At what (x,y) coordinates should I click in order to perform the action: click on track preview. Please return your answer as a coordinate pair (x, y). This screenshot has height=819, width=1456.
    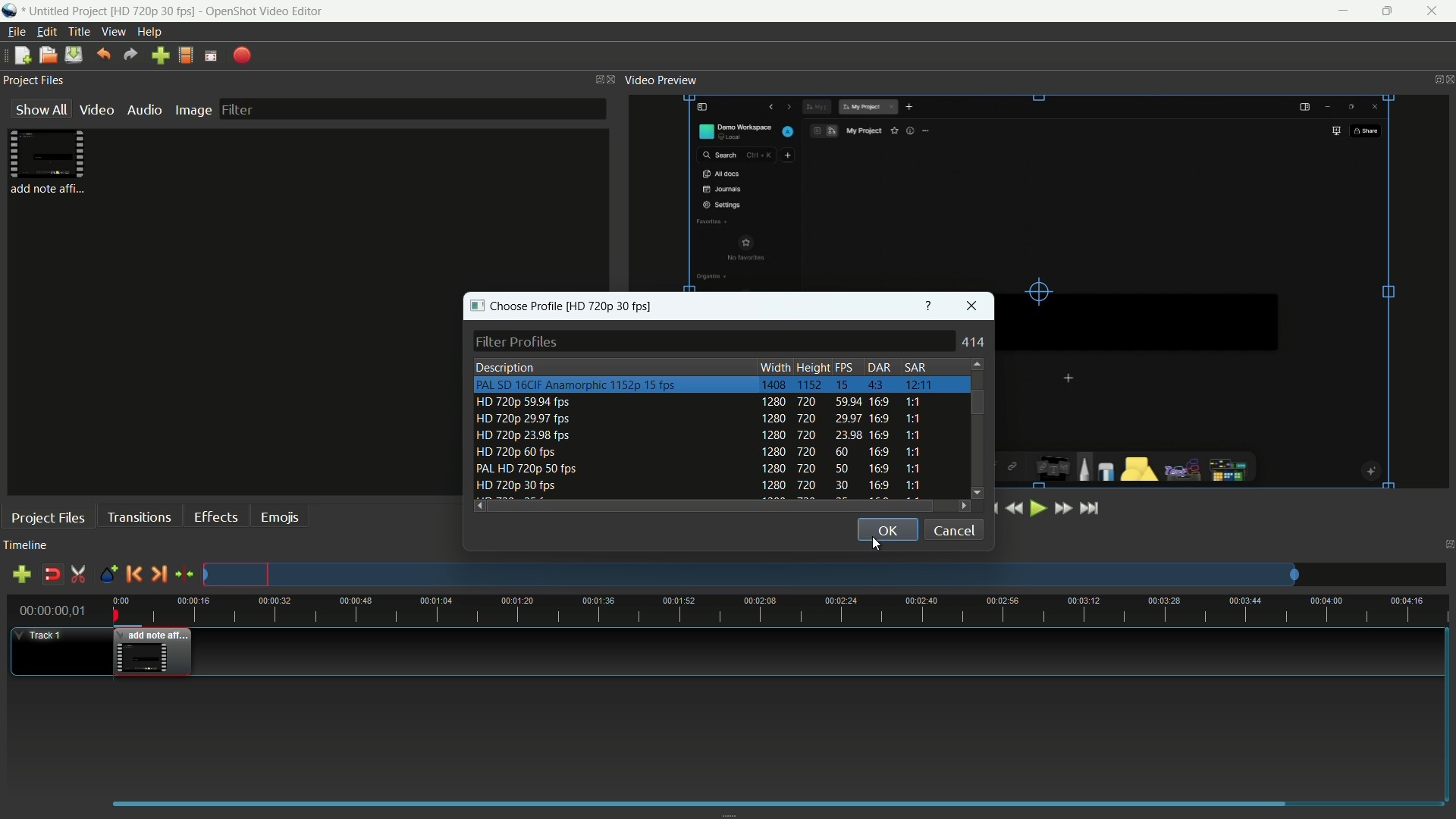
    Looking at the image, I should click on (824, 574).